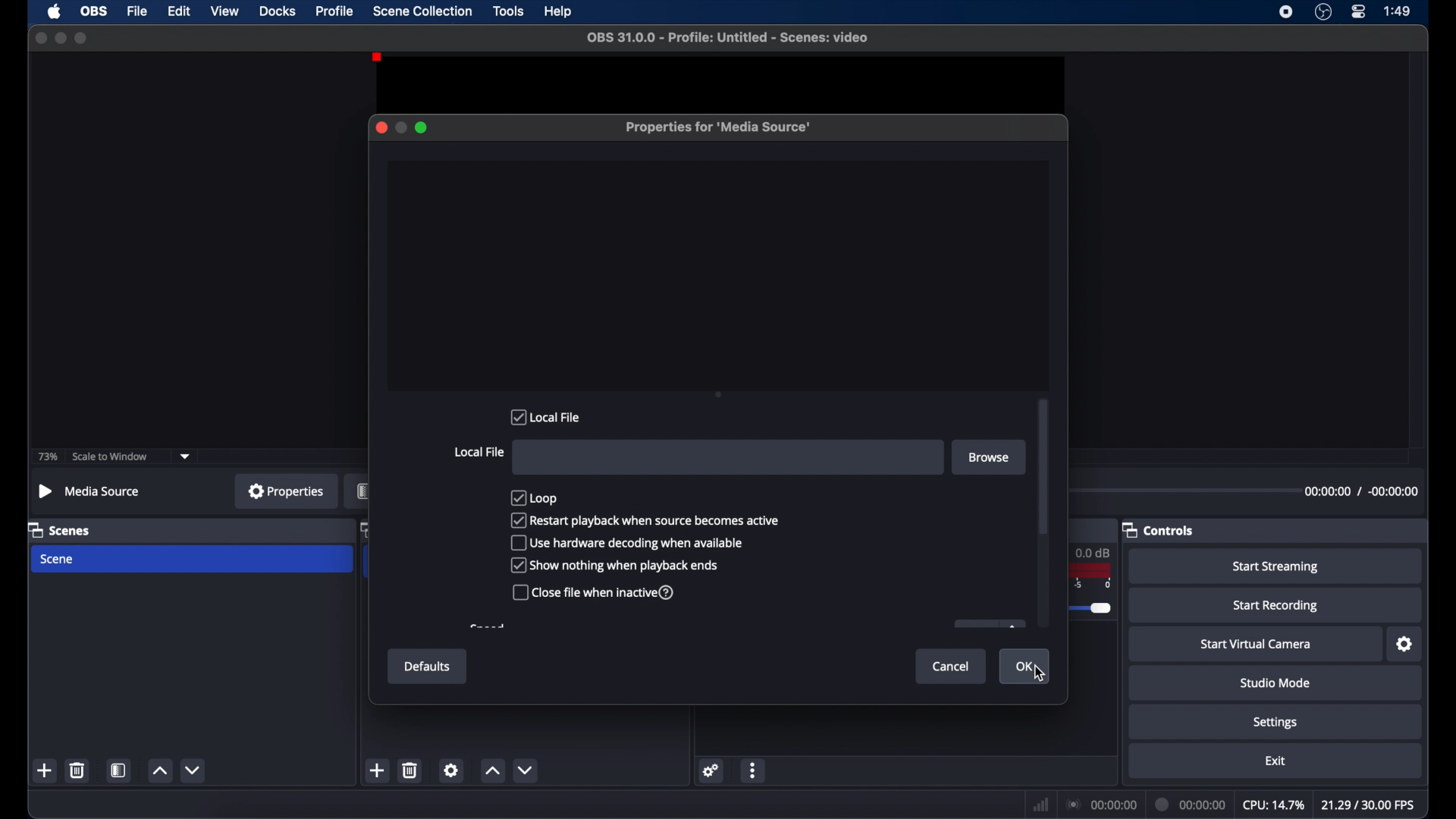 The image size is (1456, 819). What do you see at coordinates (278, 10) in the screenshot?
I see `docks` at bounding box center [278, 10].